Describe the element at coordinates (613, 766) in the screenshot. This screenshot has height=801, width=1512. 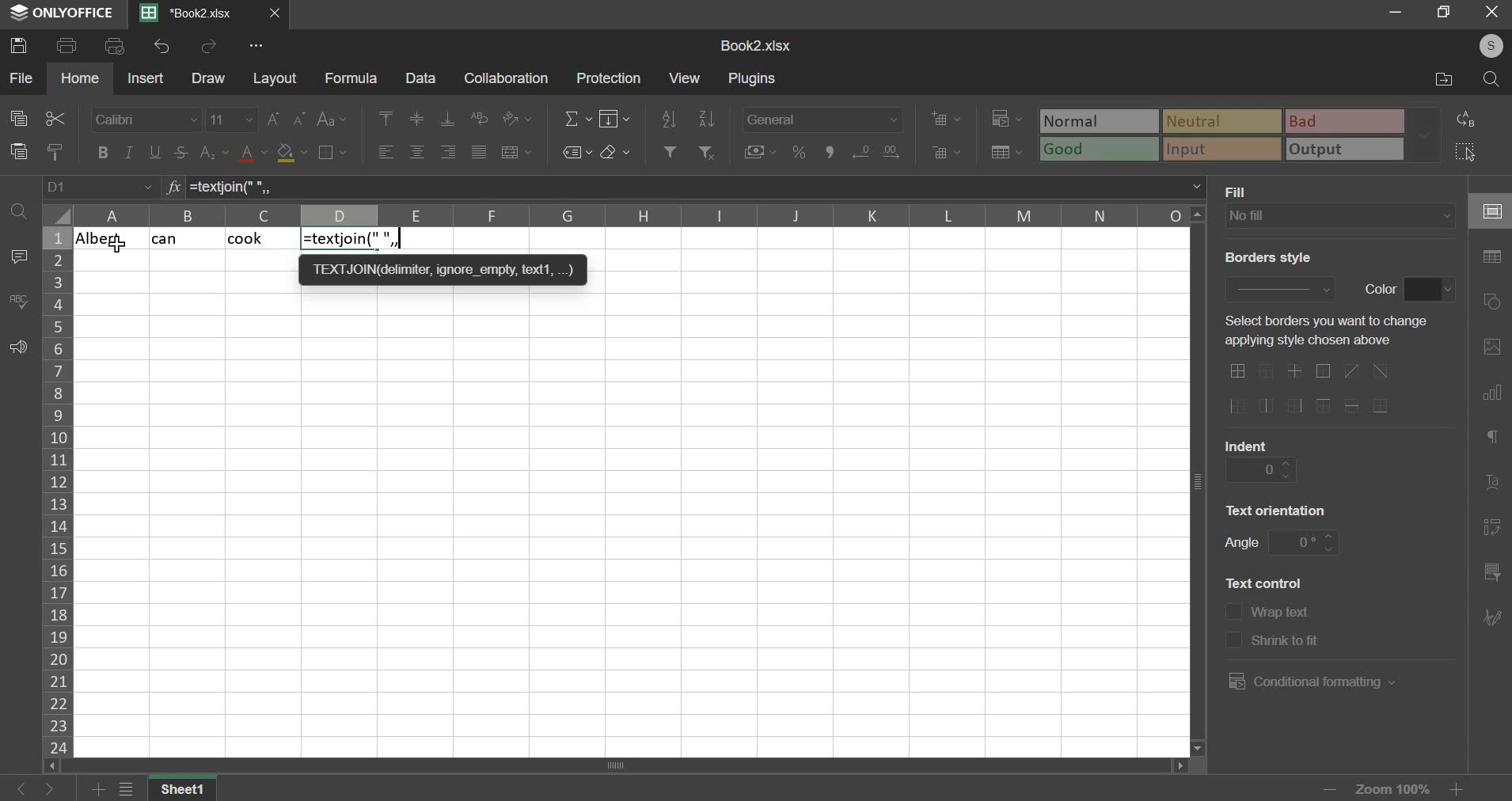
I see `scroll bar` at that location.